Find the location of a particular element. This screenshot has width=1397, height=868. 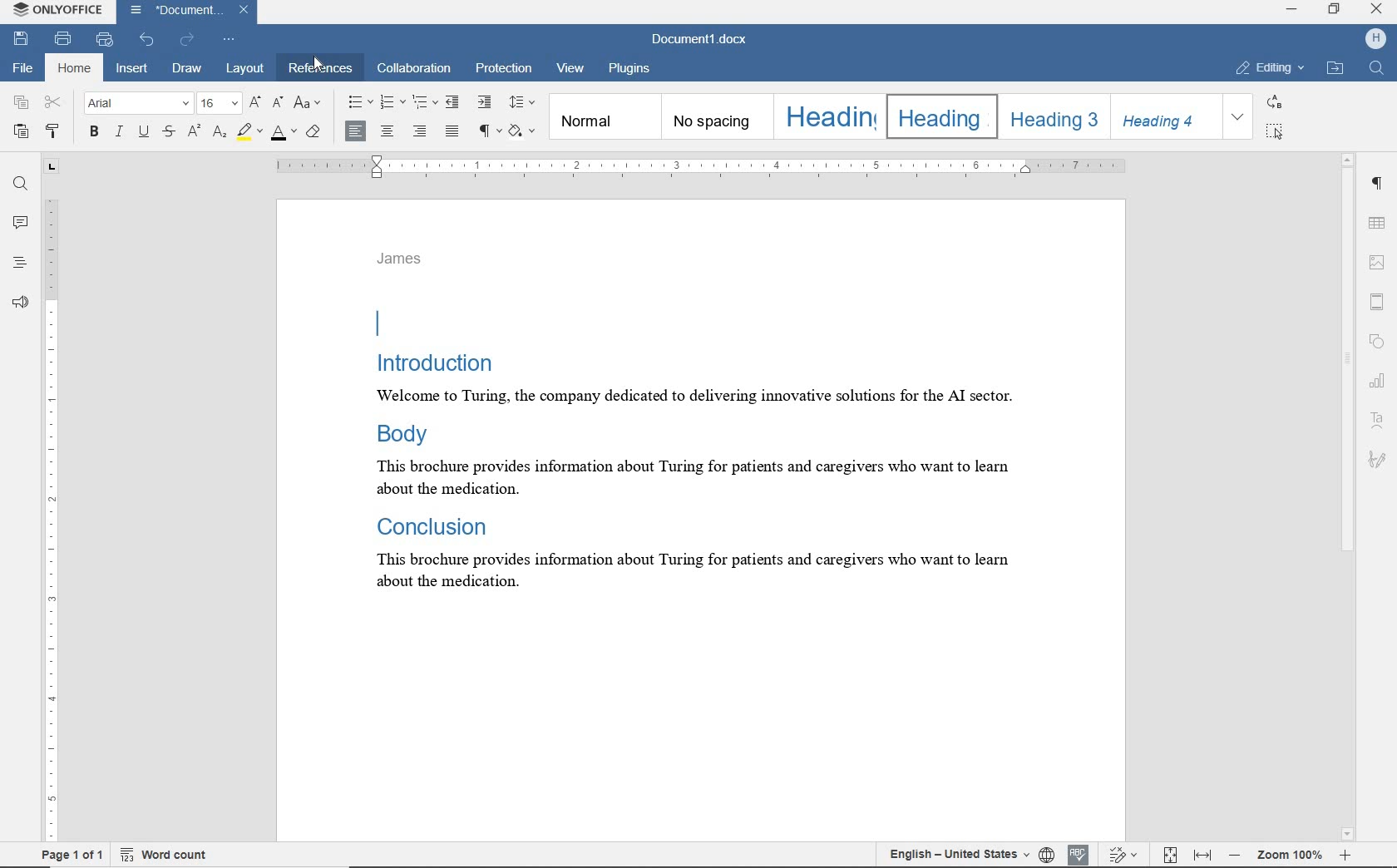

align center is located at coordinates (388, 133).